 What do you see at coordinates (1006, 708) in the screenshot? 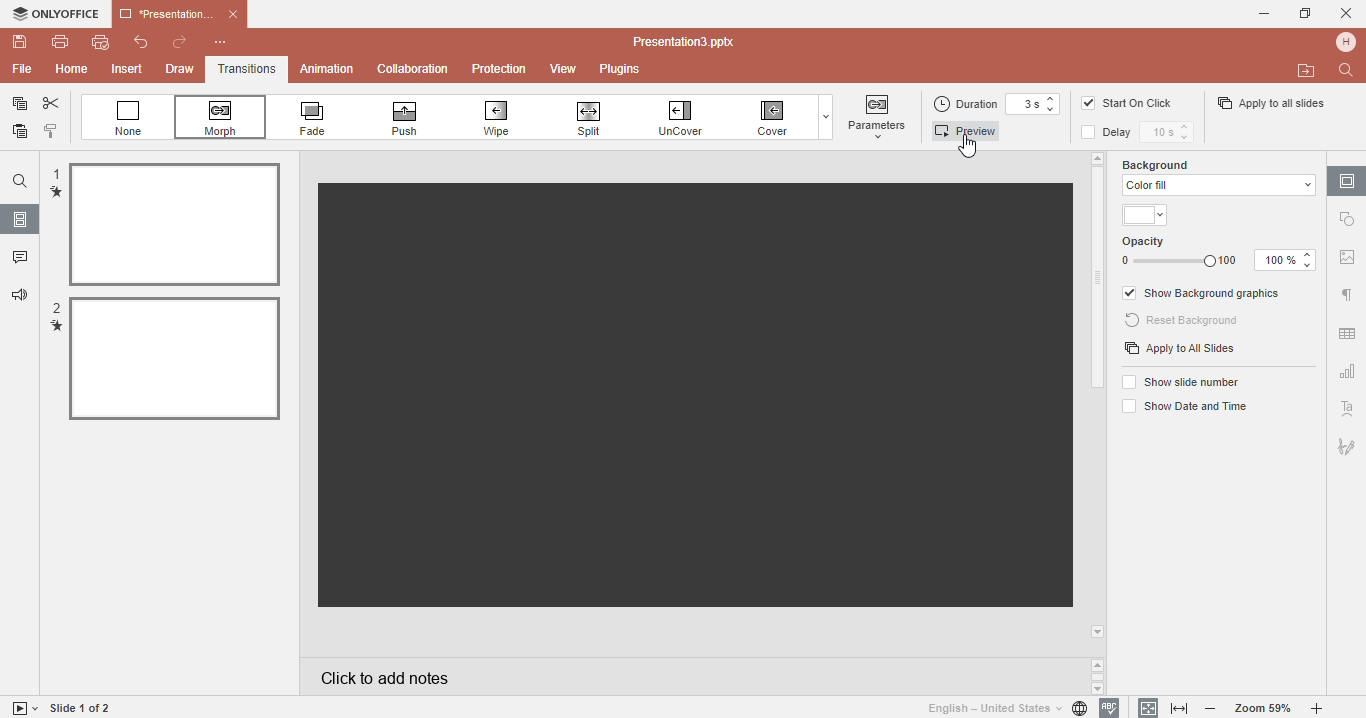
I see `Set document language` at bounding box center [1006, 708].